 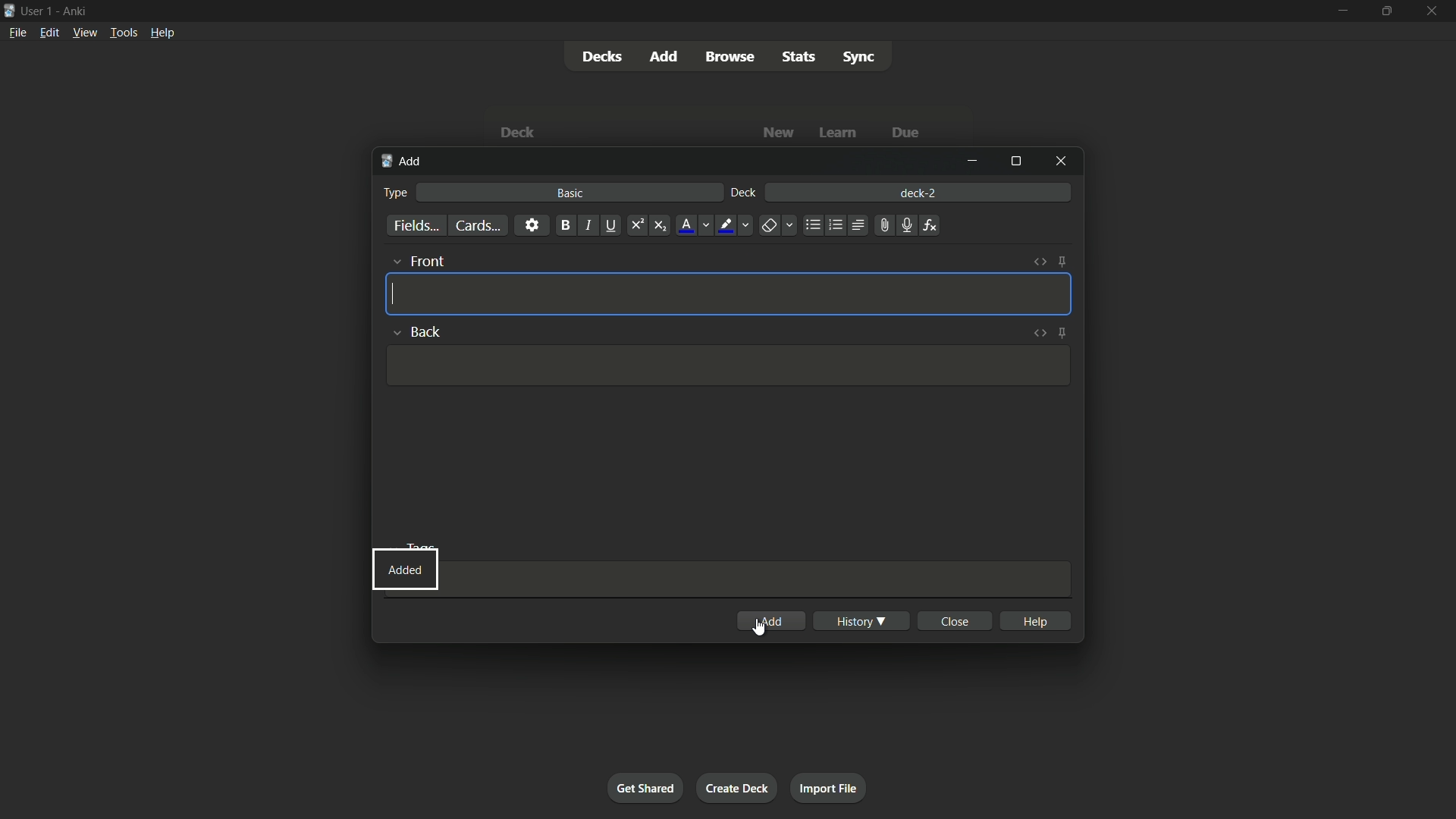 I want to click on toggle sticky, so click(x=1064, y=262).